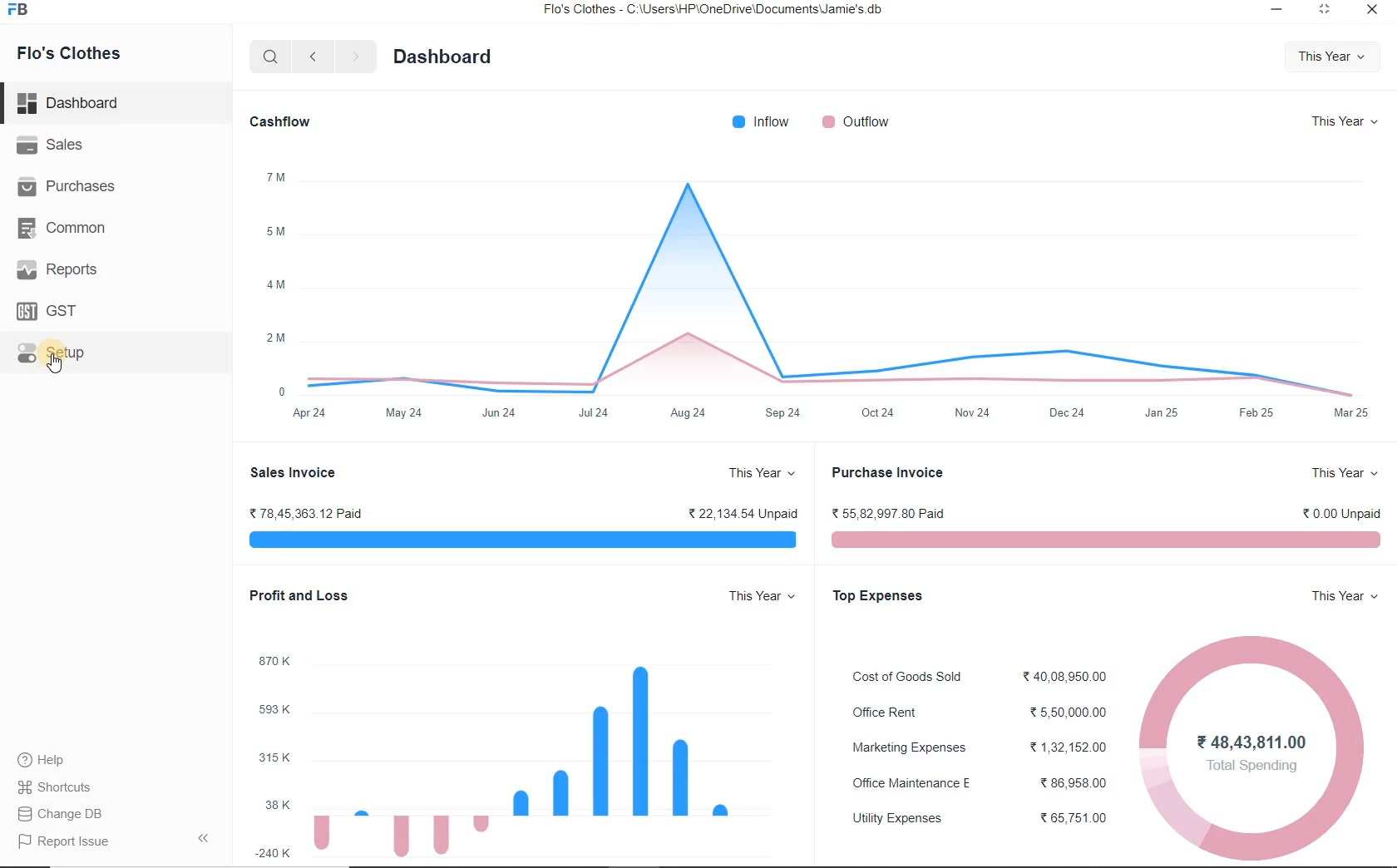 The image size is (1397, 868). I want to click on Report issue, so click(65, 842).